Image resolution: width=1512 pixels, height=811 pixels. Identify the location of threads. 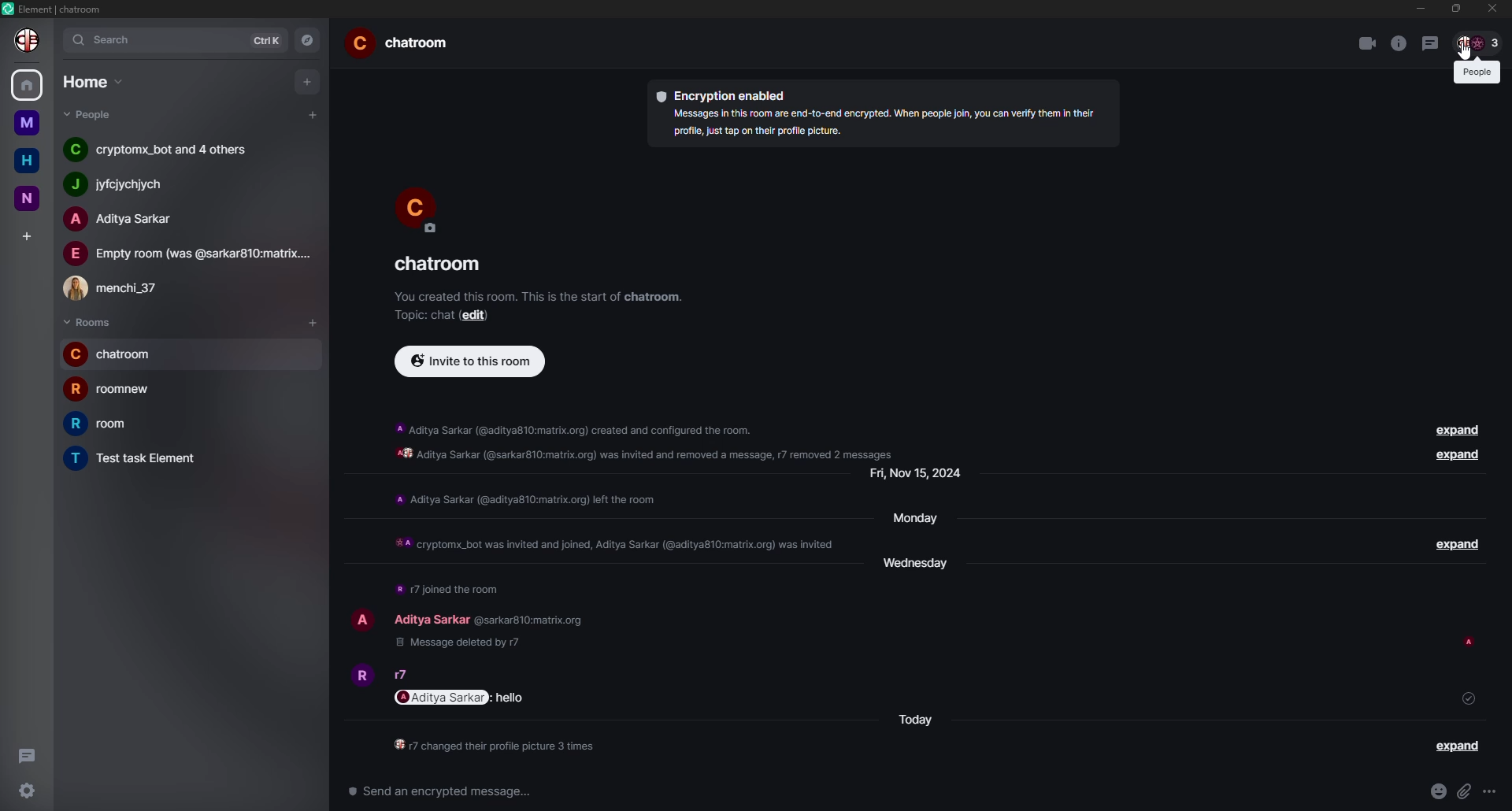
(24, 754).